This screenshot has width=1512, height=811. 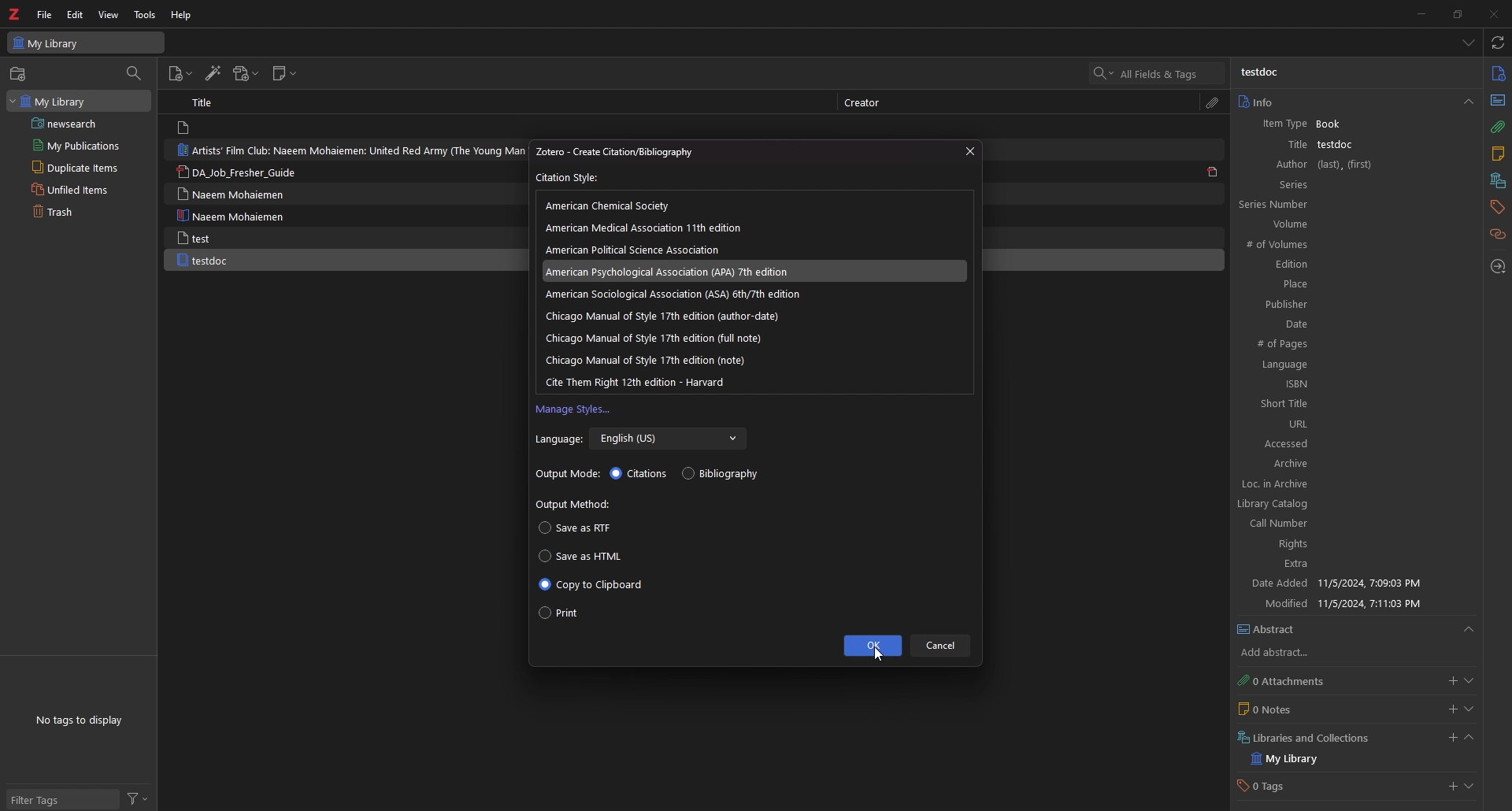 I want to click on Book, so click(x=1336, y=124).